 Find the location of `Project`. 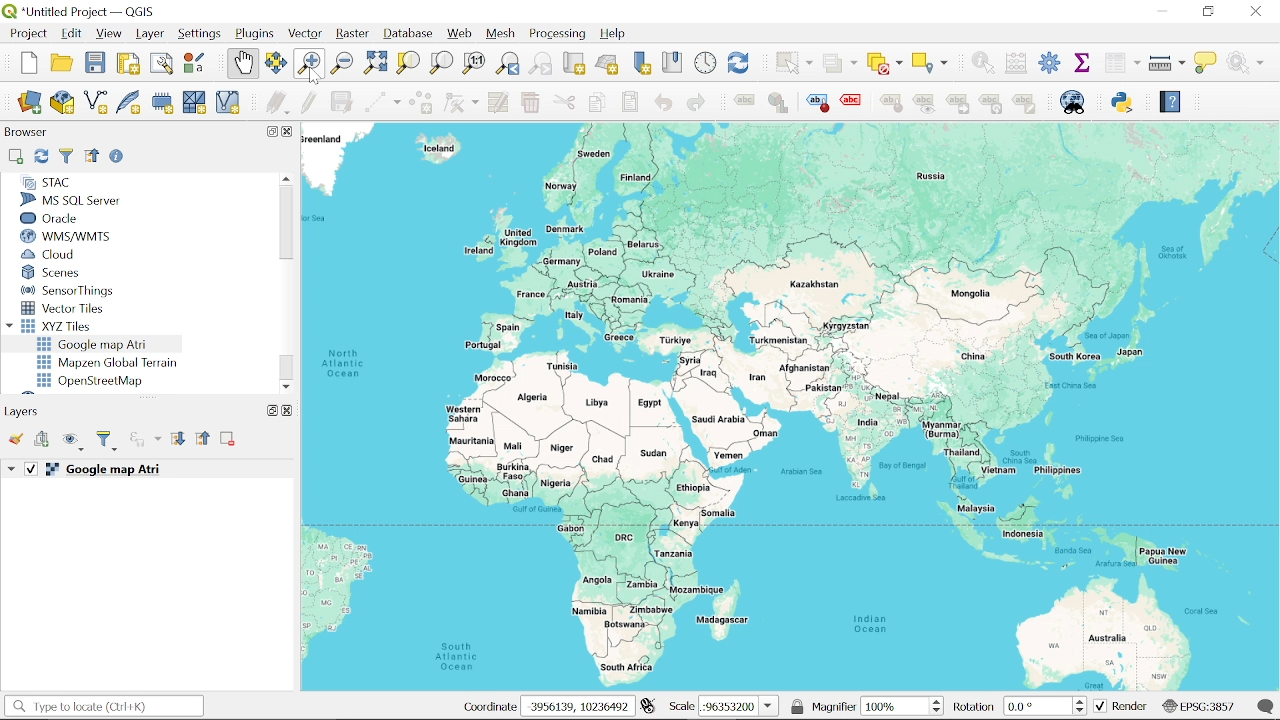

Project is located at coordinates (26, 34).